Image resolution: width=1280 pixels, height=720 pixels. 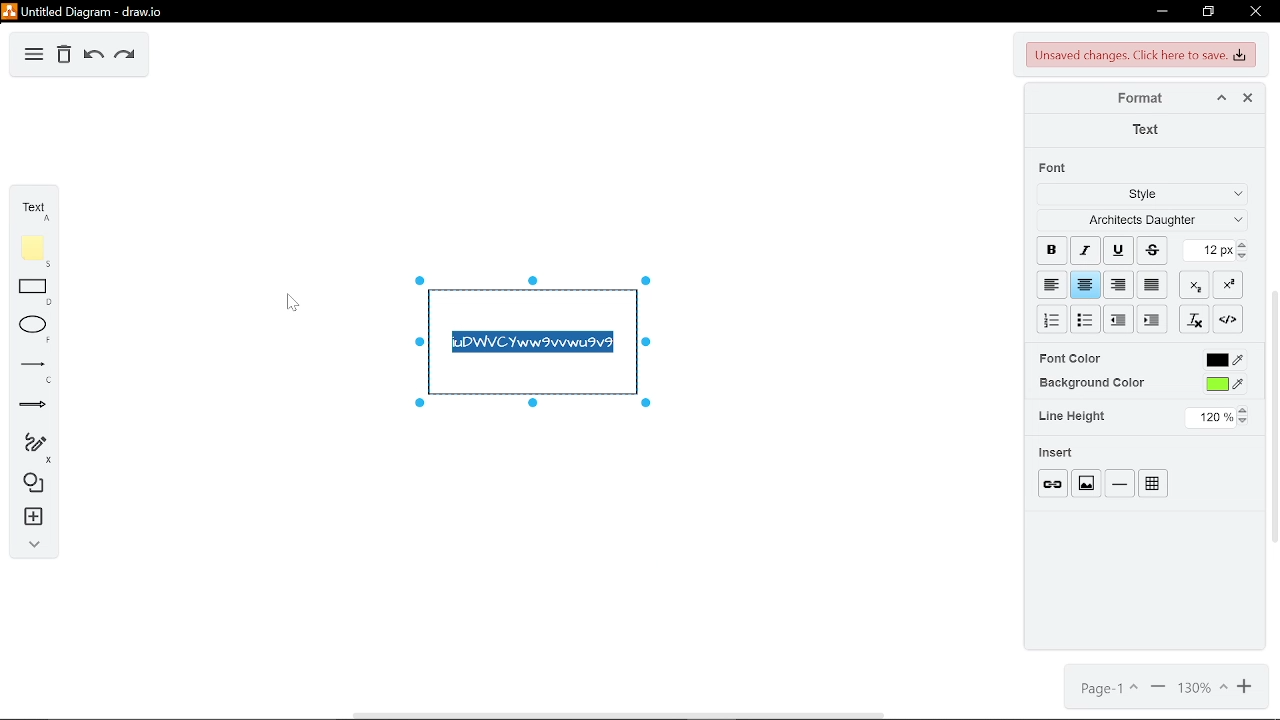 I want to click on arrows, so click(x=27, y=404).